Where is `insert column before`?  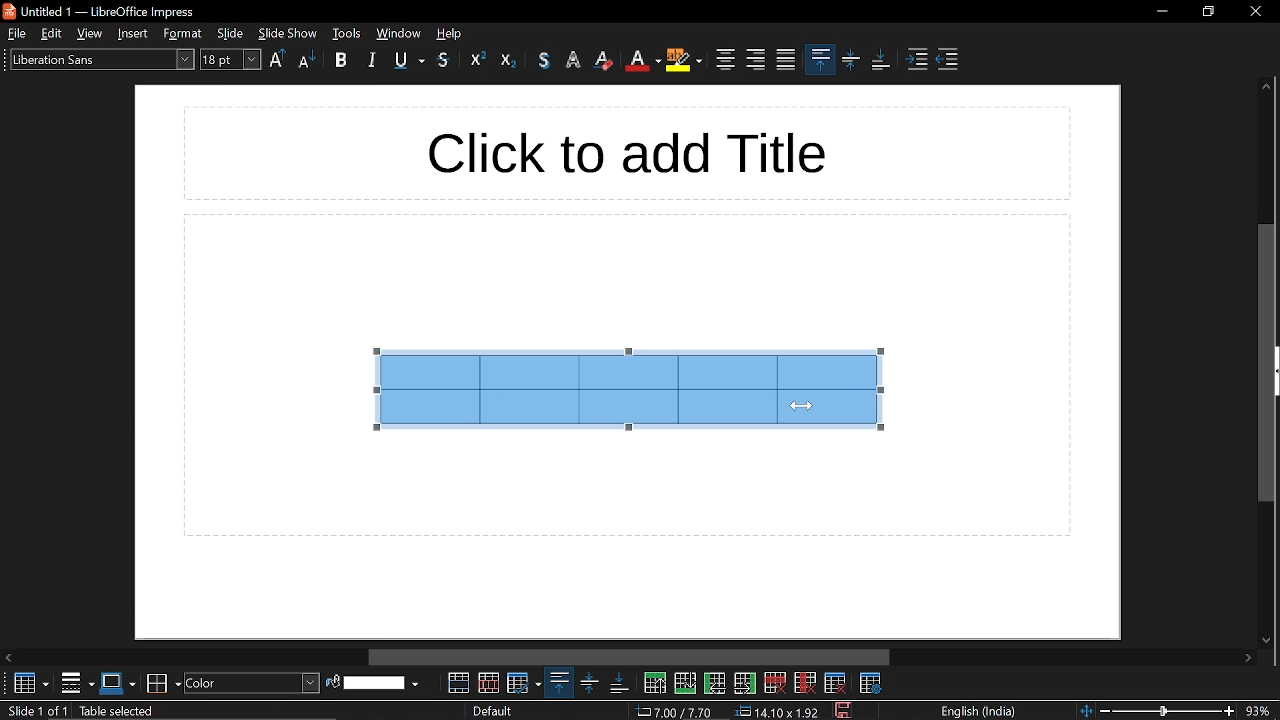
insert column before is located at coordinates (715, 683).